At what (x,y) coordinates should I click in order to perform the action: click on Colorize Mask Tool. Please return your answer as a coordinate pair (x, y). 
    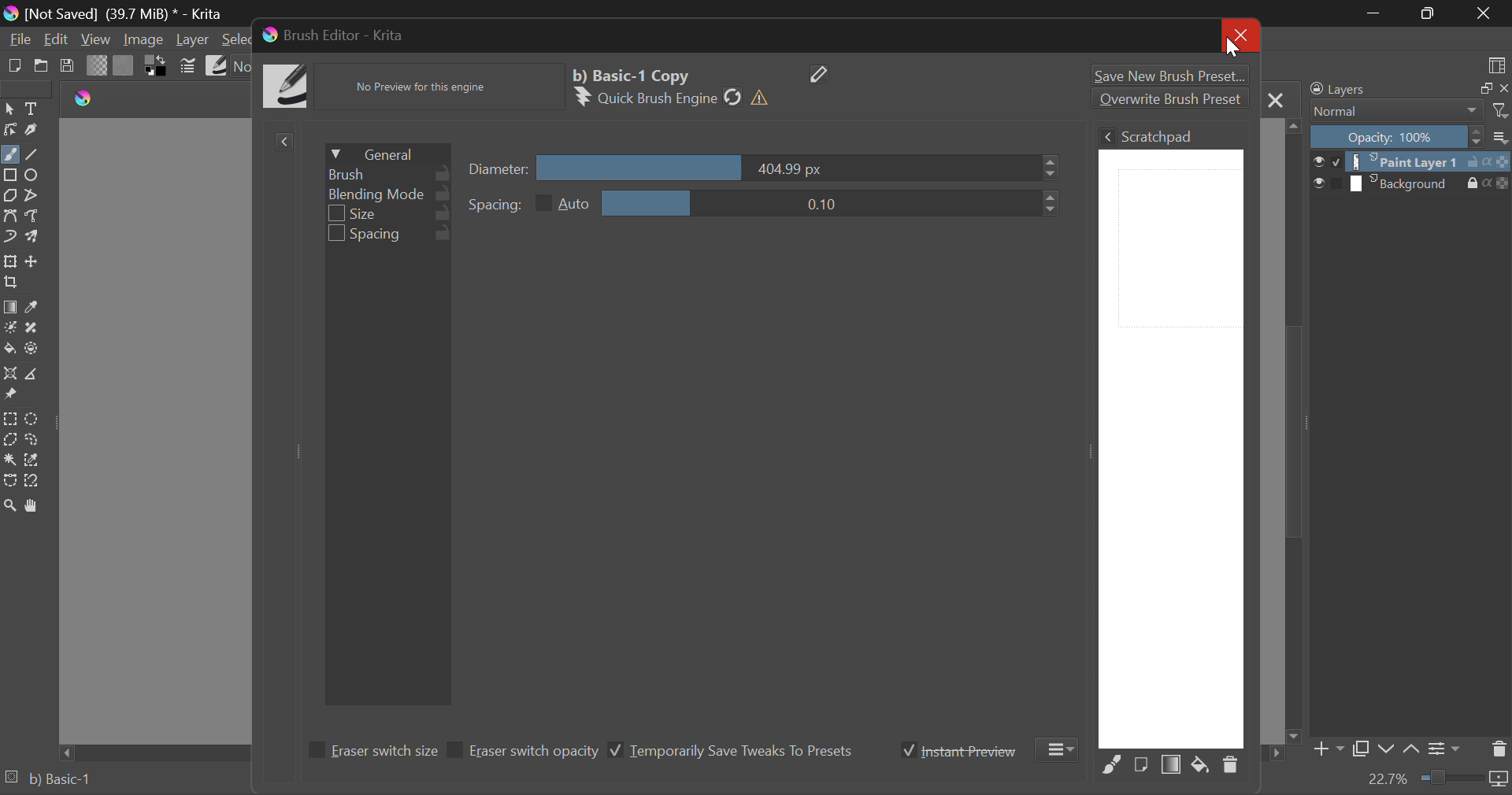
    Looking at the image, I should click on (9, 327).